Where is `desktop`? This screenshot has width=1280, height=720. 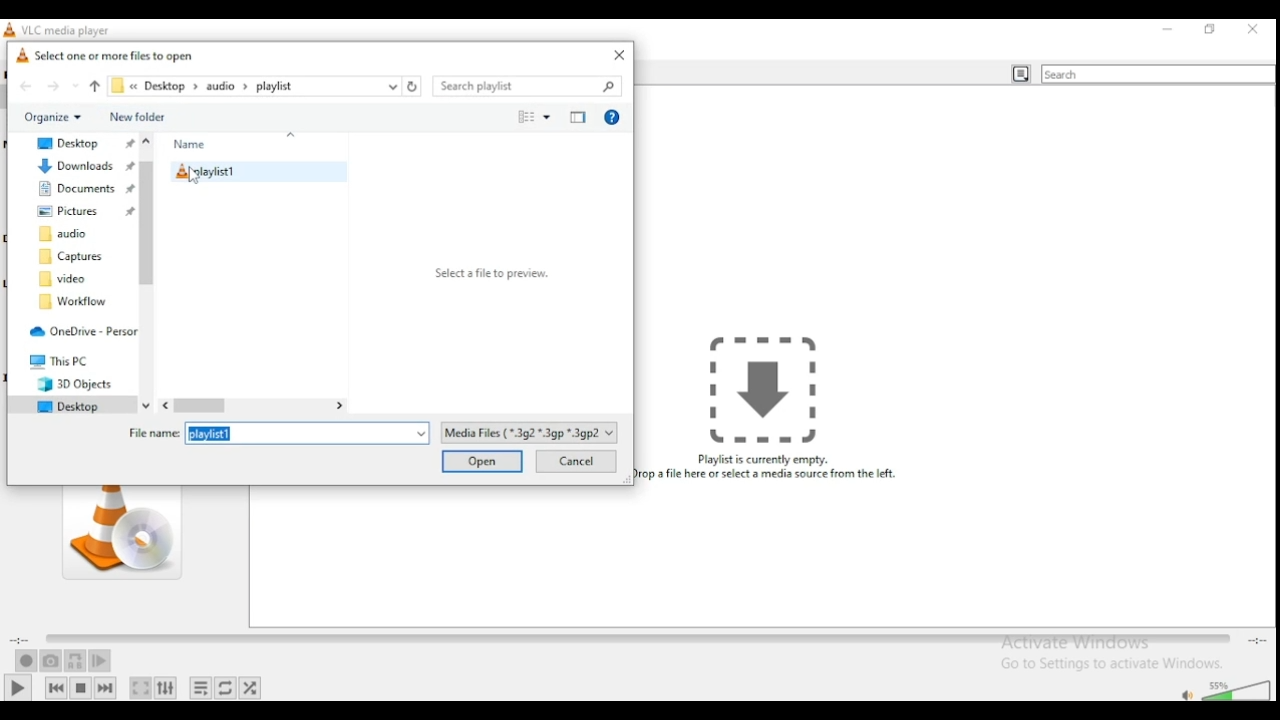 desktop is located at coordinates (79, 143).